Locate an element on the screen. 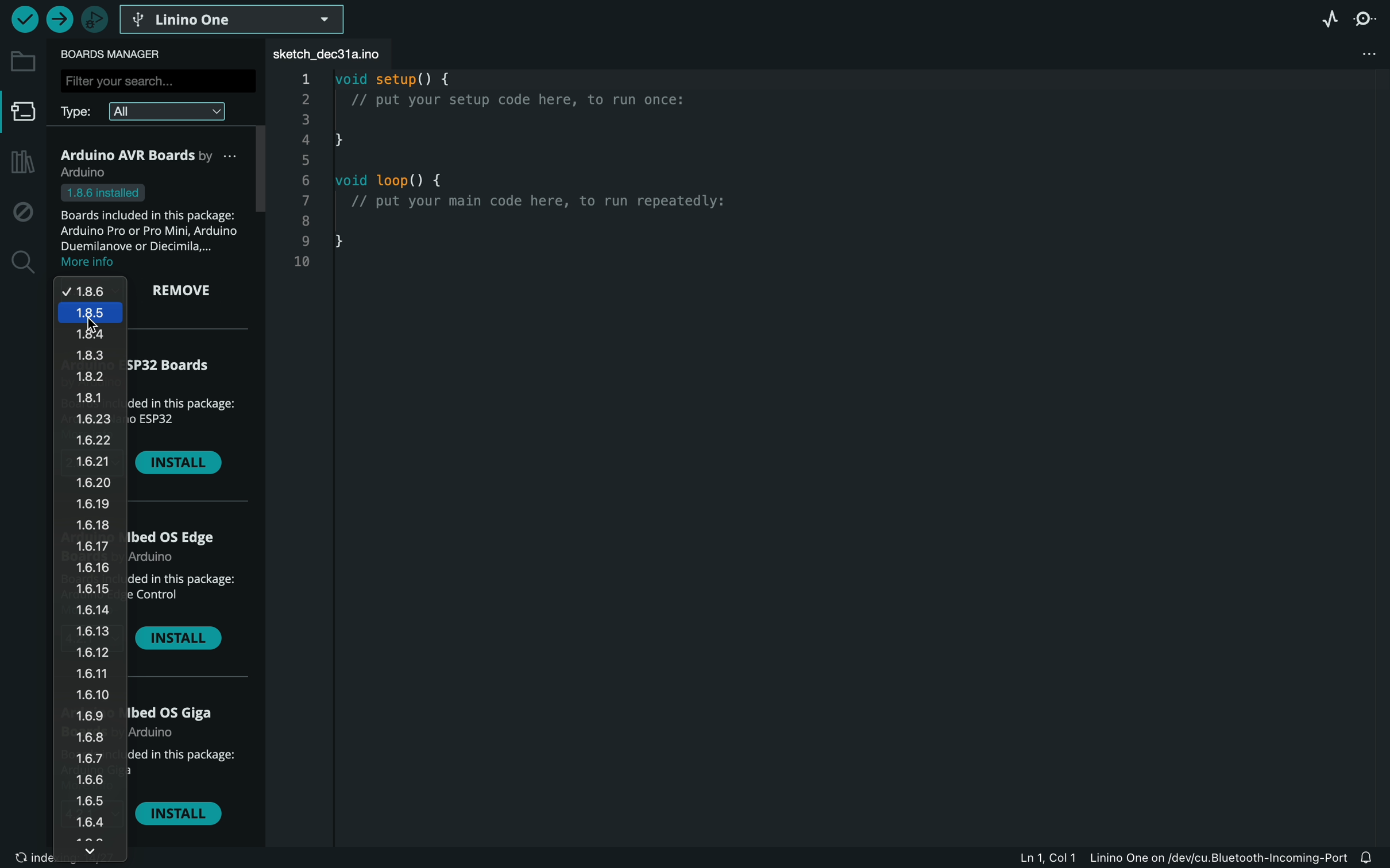 Image resolution: width=1390 pixels, height=868 pixels. description is located at coordinates (181, 596).